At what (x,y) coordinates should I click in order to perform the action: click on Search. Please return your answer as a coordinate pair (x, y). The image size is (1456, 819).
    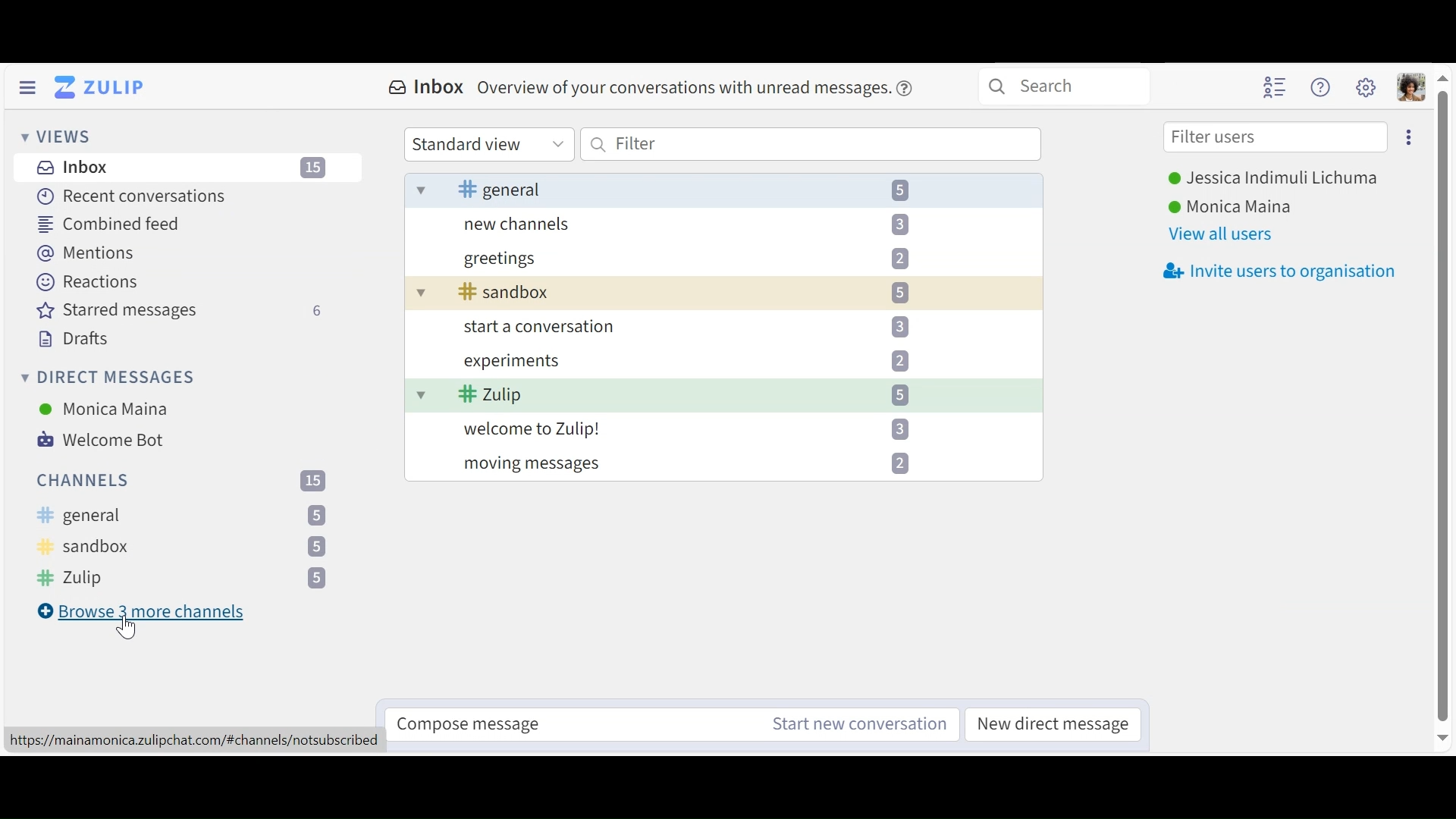
    Looking at the image, I should click on (1056, 85).